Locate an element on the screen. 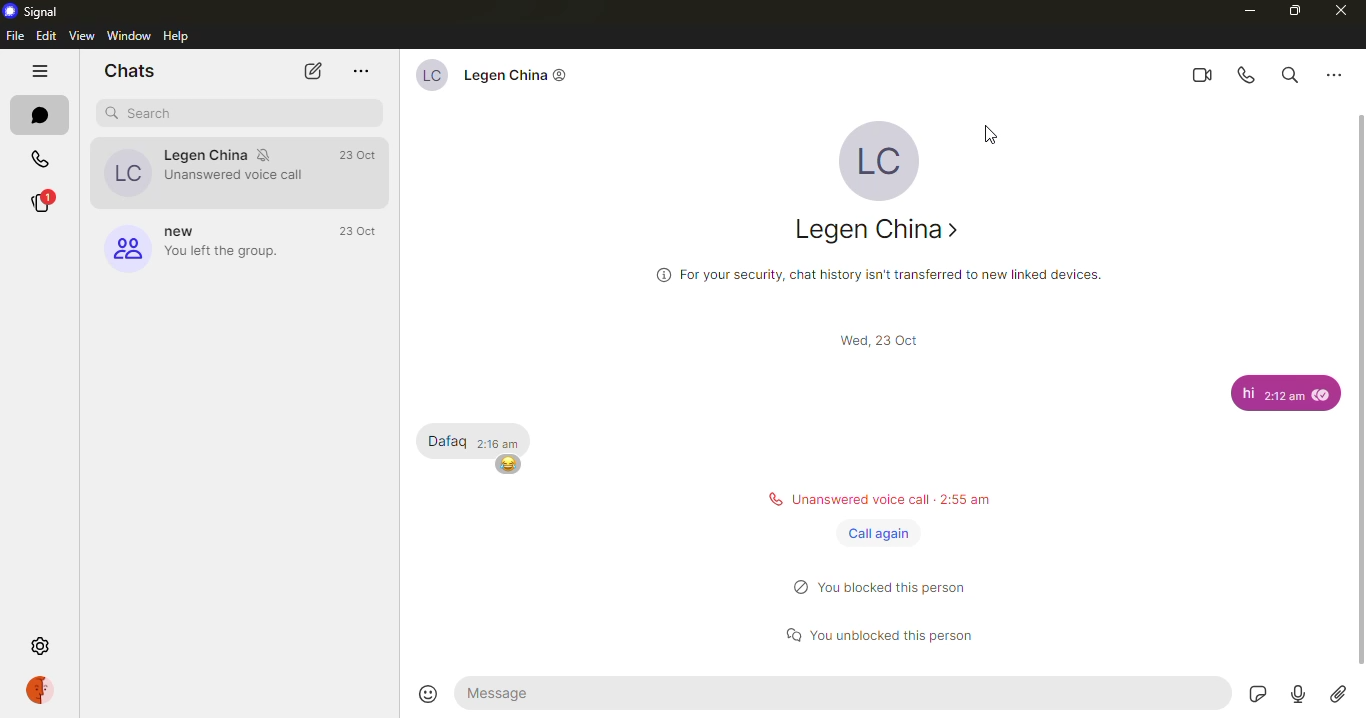 The height and width of the screenshot is (718, 1366). maximize is located at coordinates (1293, 9).